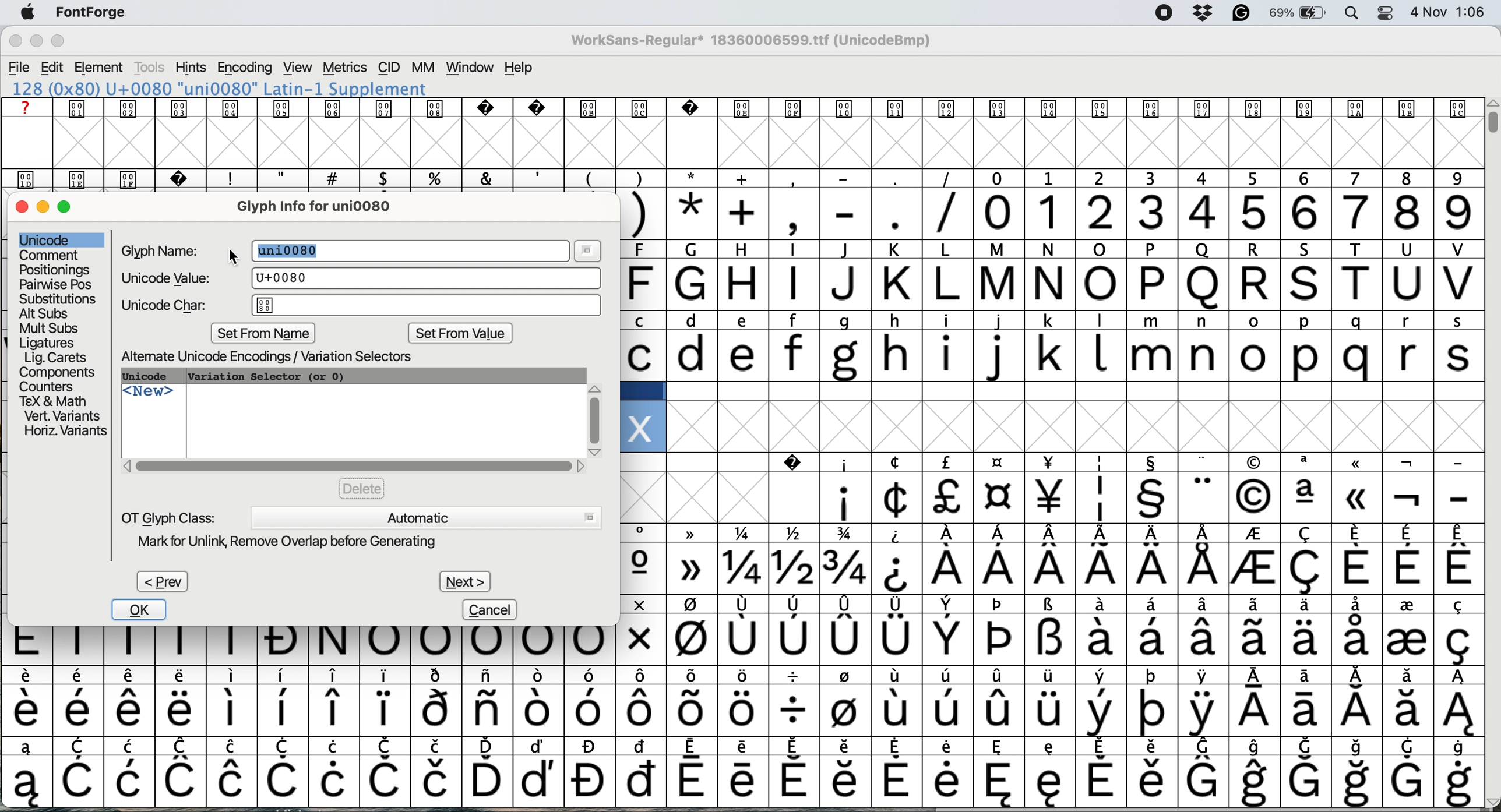 This screenshot has height=812, width=1501. Describe the element at coordinates (191, 69) in the screenshot. I see `hints` at that location.